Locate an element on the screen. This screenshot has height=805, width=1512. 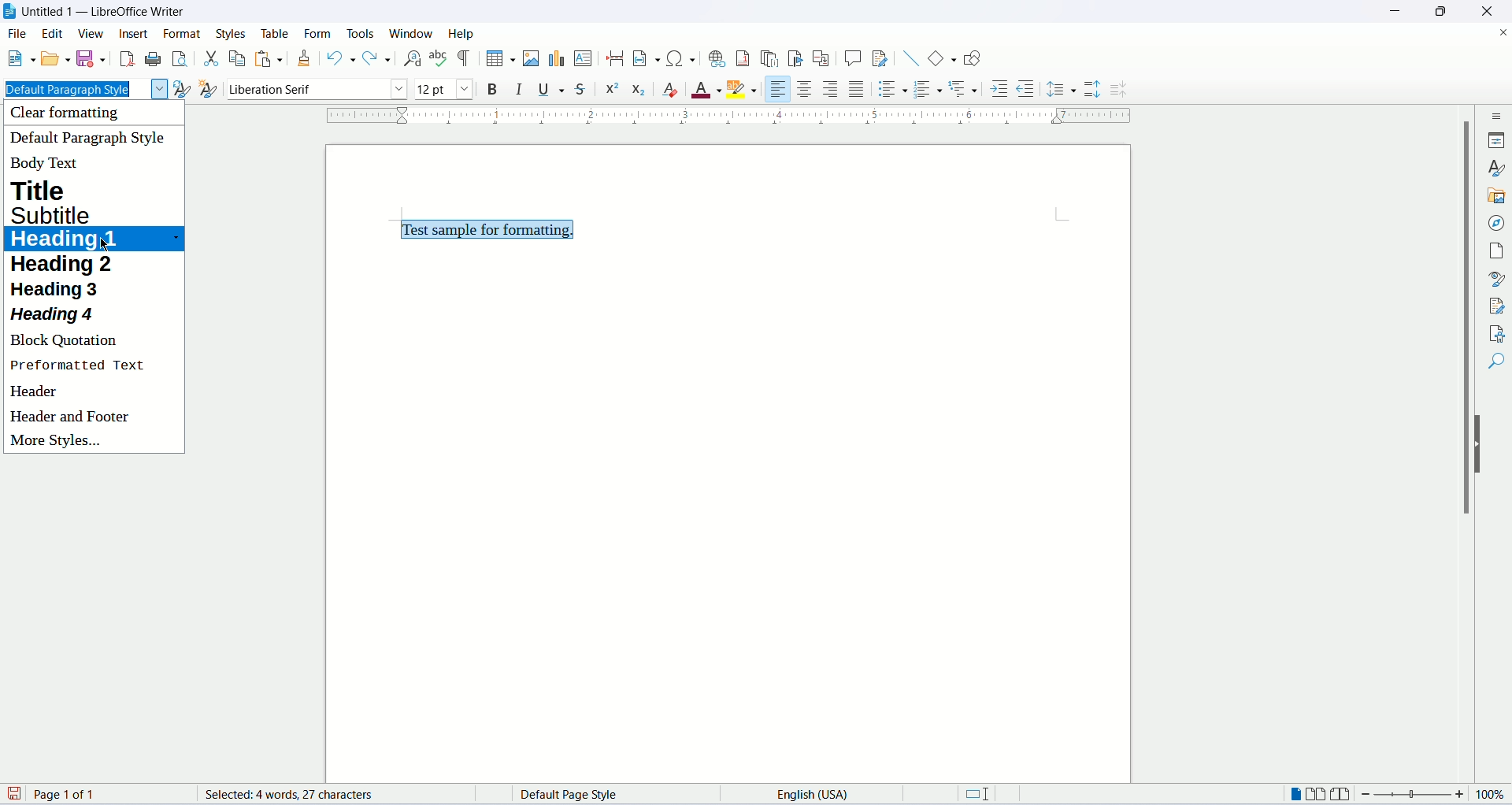
insert footnote is located at coordinates (744, 58).